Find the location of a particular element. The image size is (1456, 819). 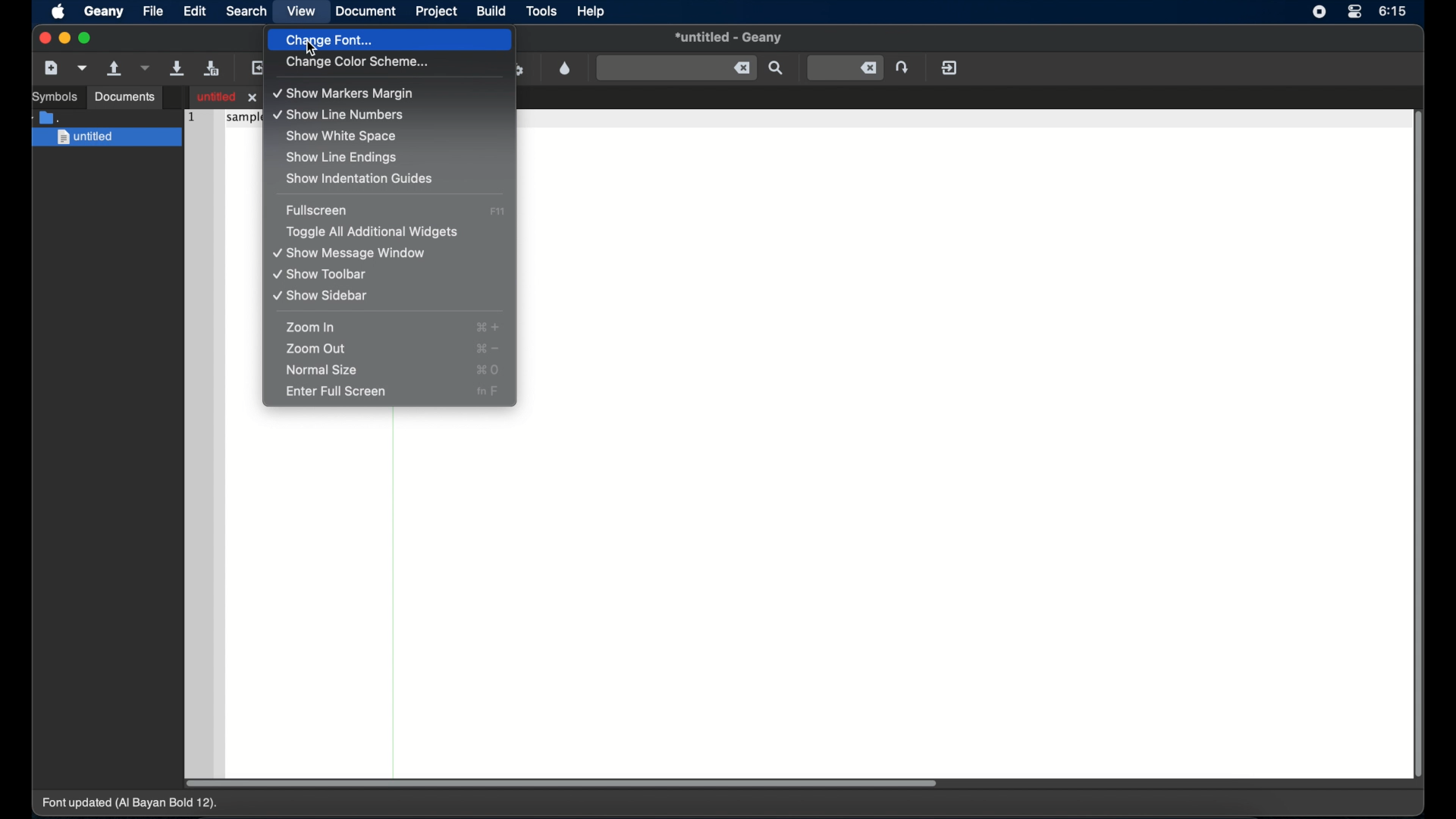

file is located at coordinates (153, 11).